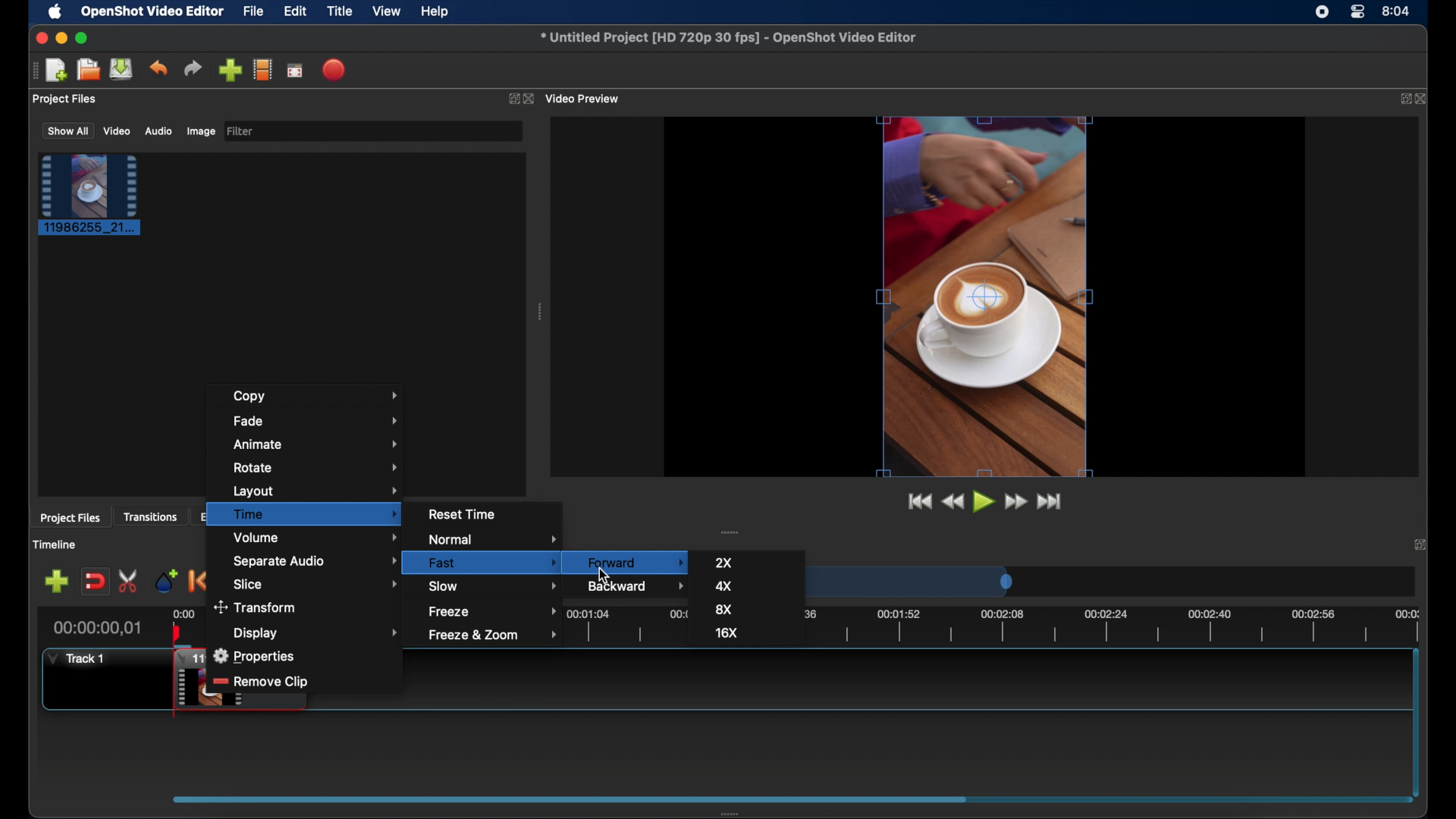 The image size is (1456, 819). Describe the element at coordinates (494, 635) in the screenshot. I see `freeze and zoom menu` at that location.